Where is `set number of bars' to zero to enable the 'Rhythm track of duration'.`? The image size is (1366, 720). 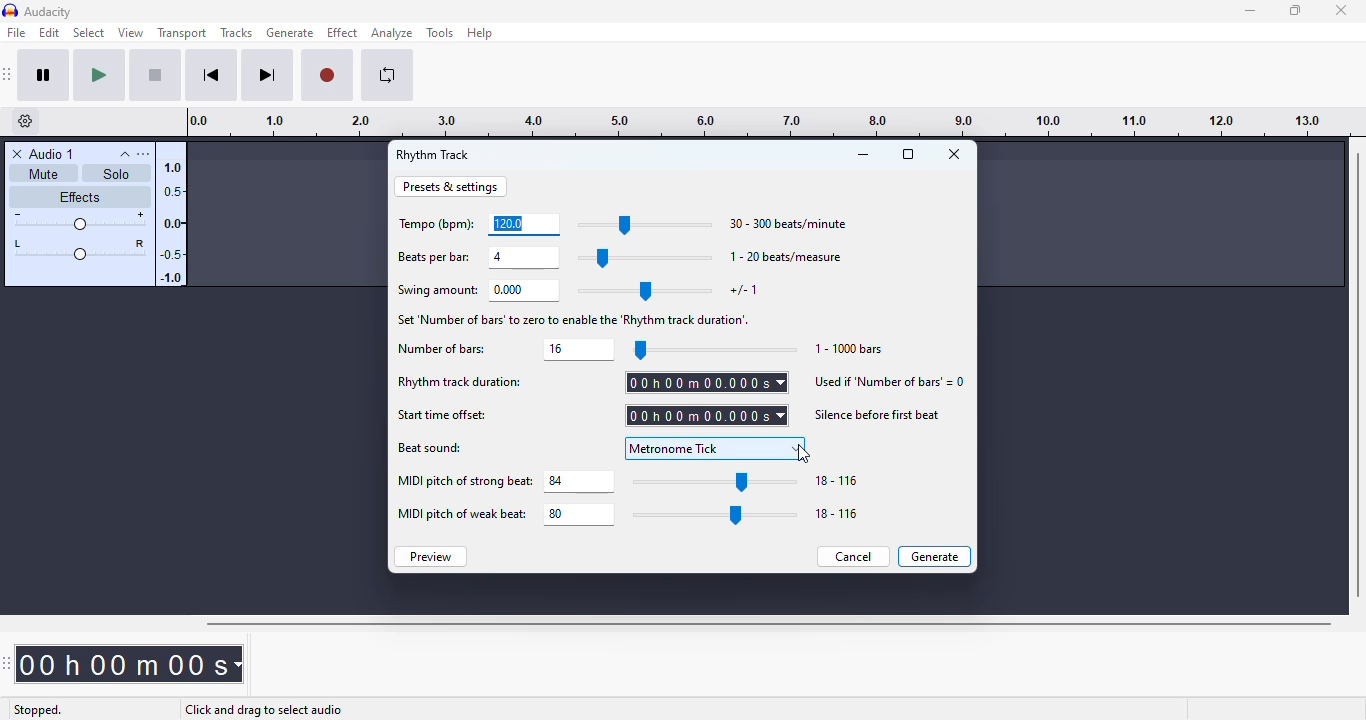 set number of bars' to zero to enable the 'Rhythm track of duration'. is located at coordinates (575, 319).